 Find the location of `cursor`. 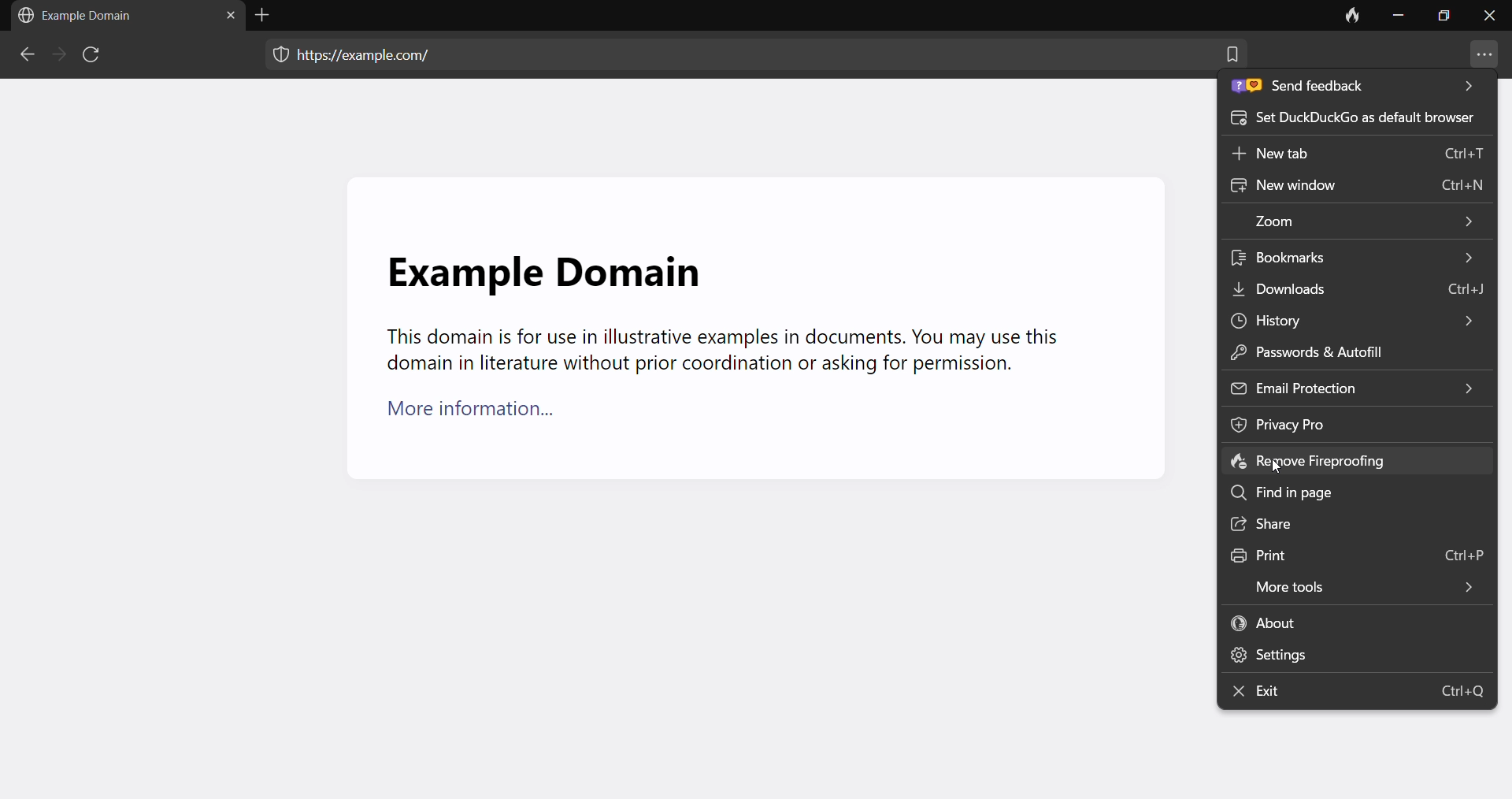

cursor is located at coordinates (1277, 466).